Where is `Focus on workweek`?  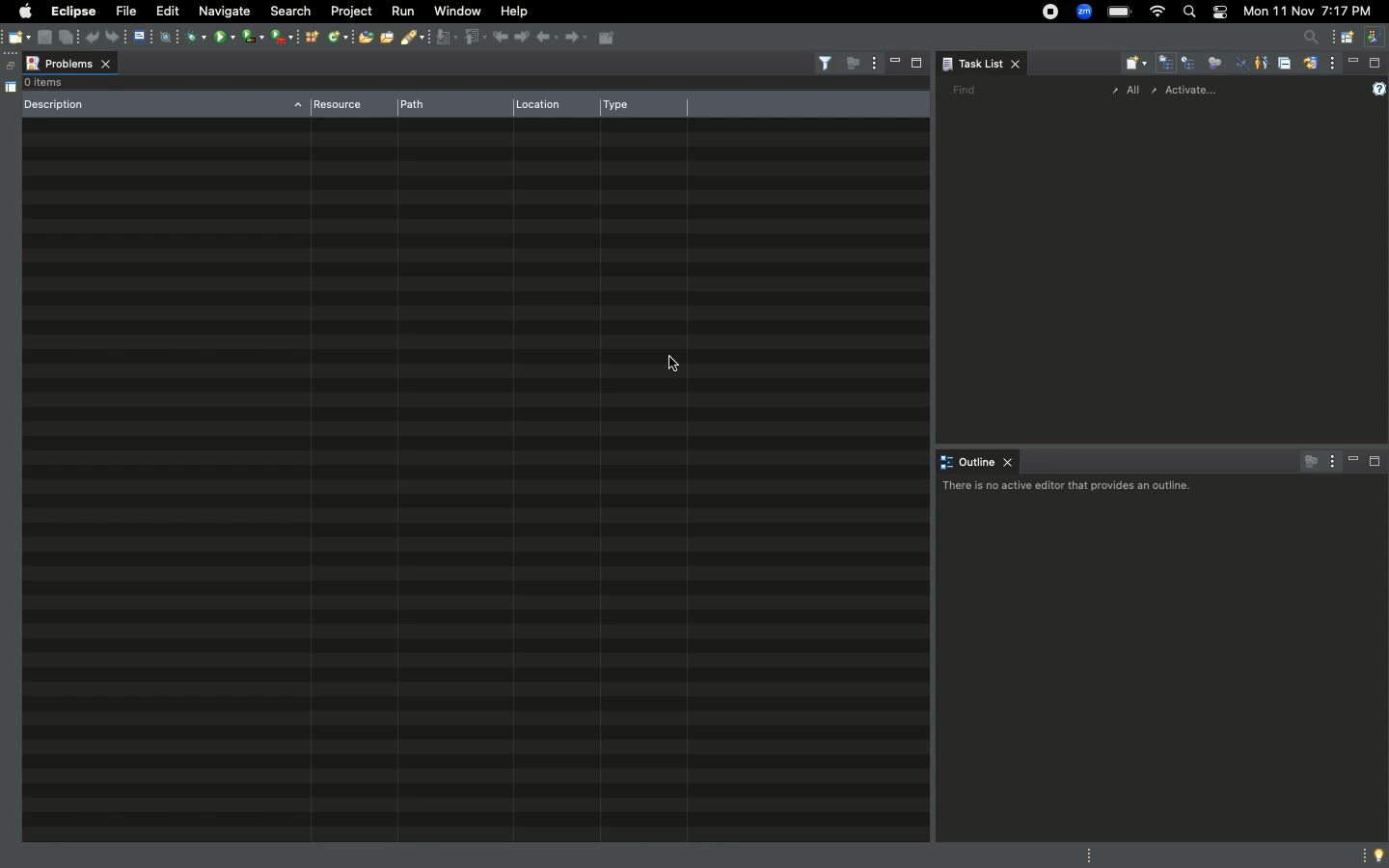 Focus on workweek is located at coordinates (1214, 61).